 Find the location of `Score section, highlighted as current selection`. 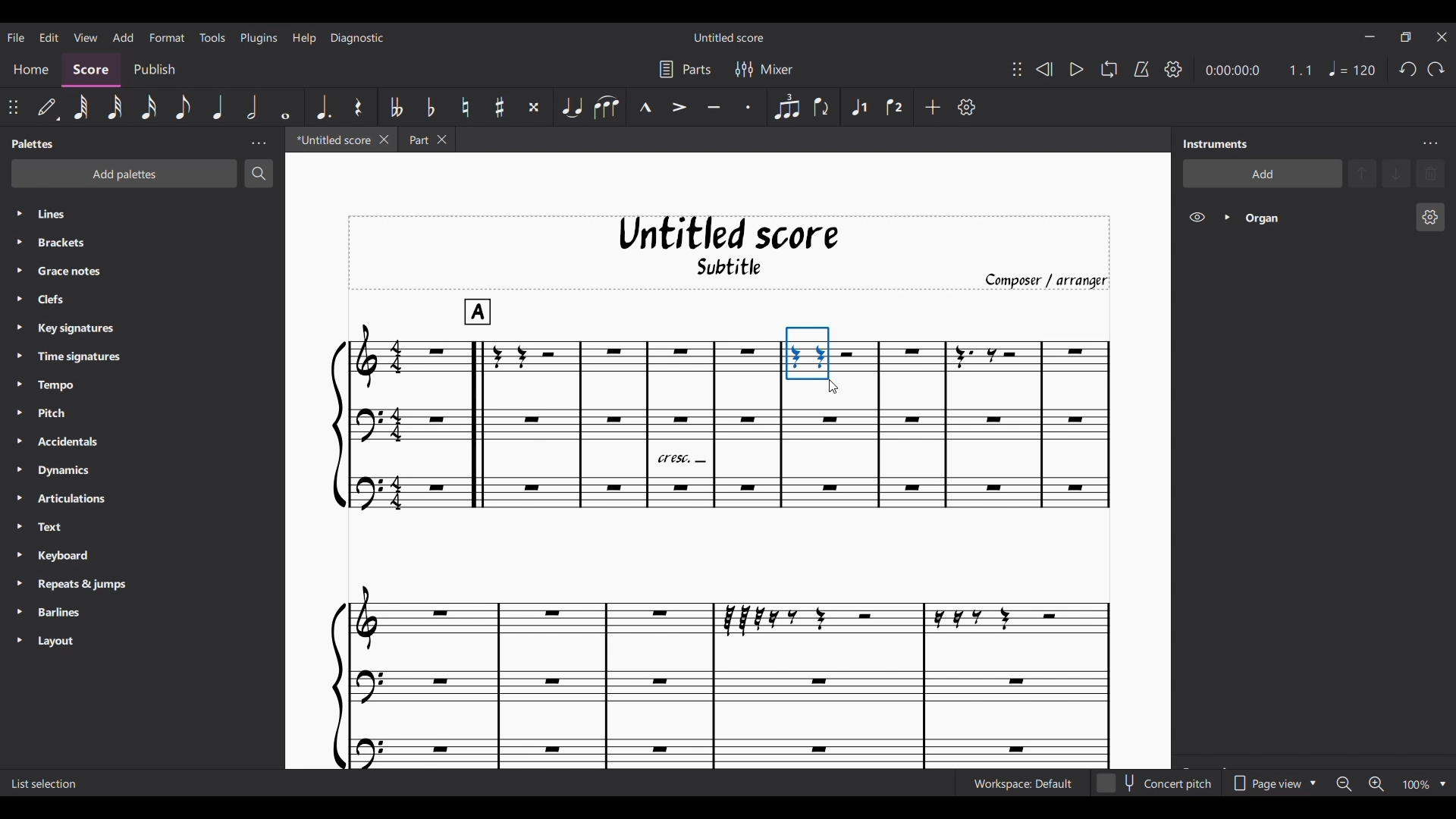

Score section, highlighted as current selection is located at coordinates (90, 70).